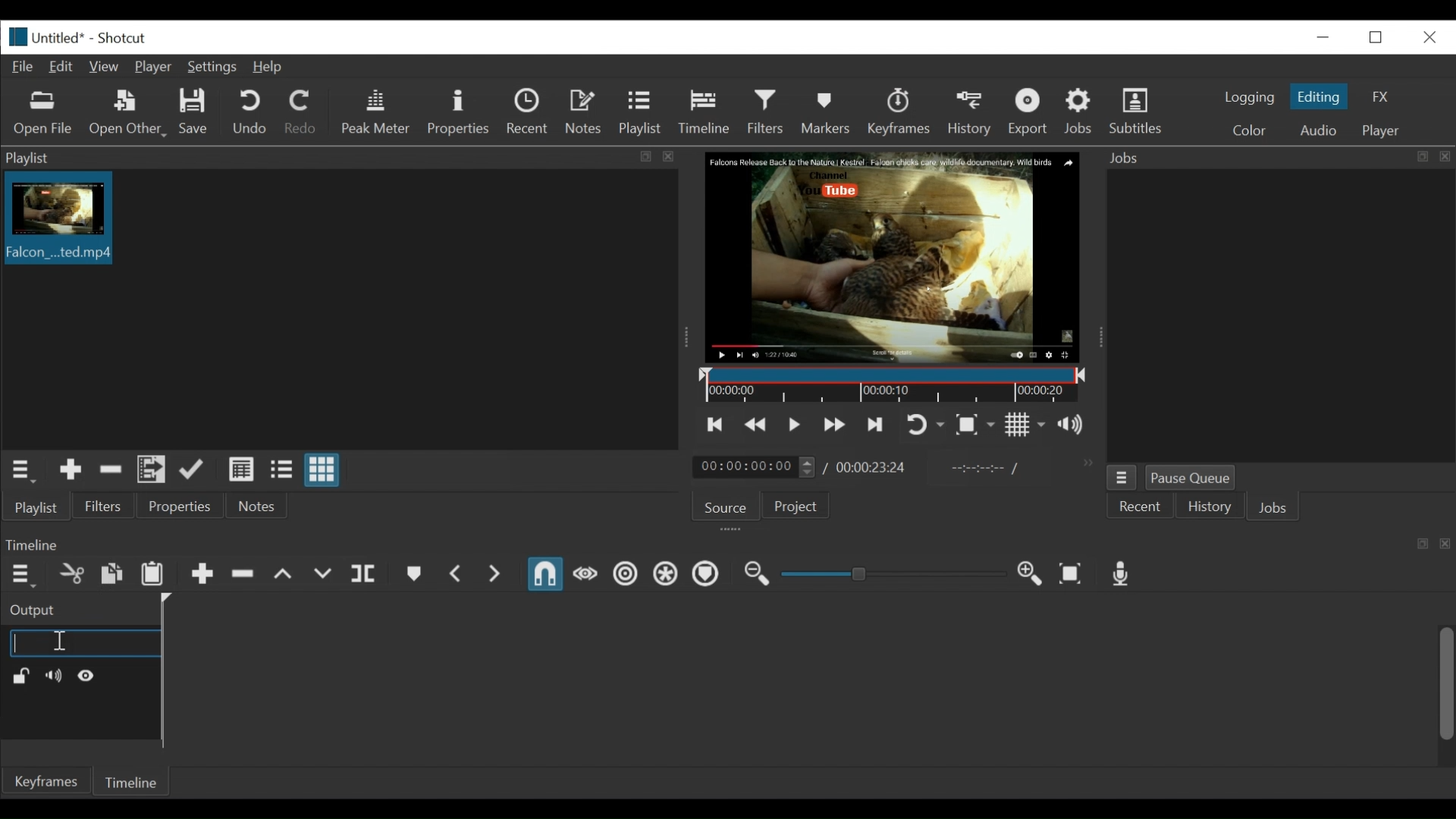 The image size is (1456, 819). Describe the element at coordinates (1071, 573) in the screenshot. I see `Zoom Timeline to fit` at that location.